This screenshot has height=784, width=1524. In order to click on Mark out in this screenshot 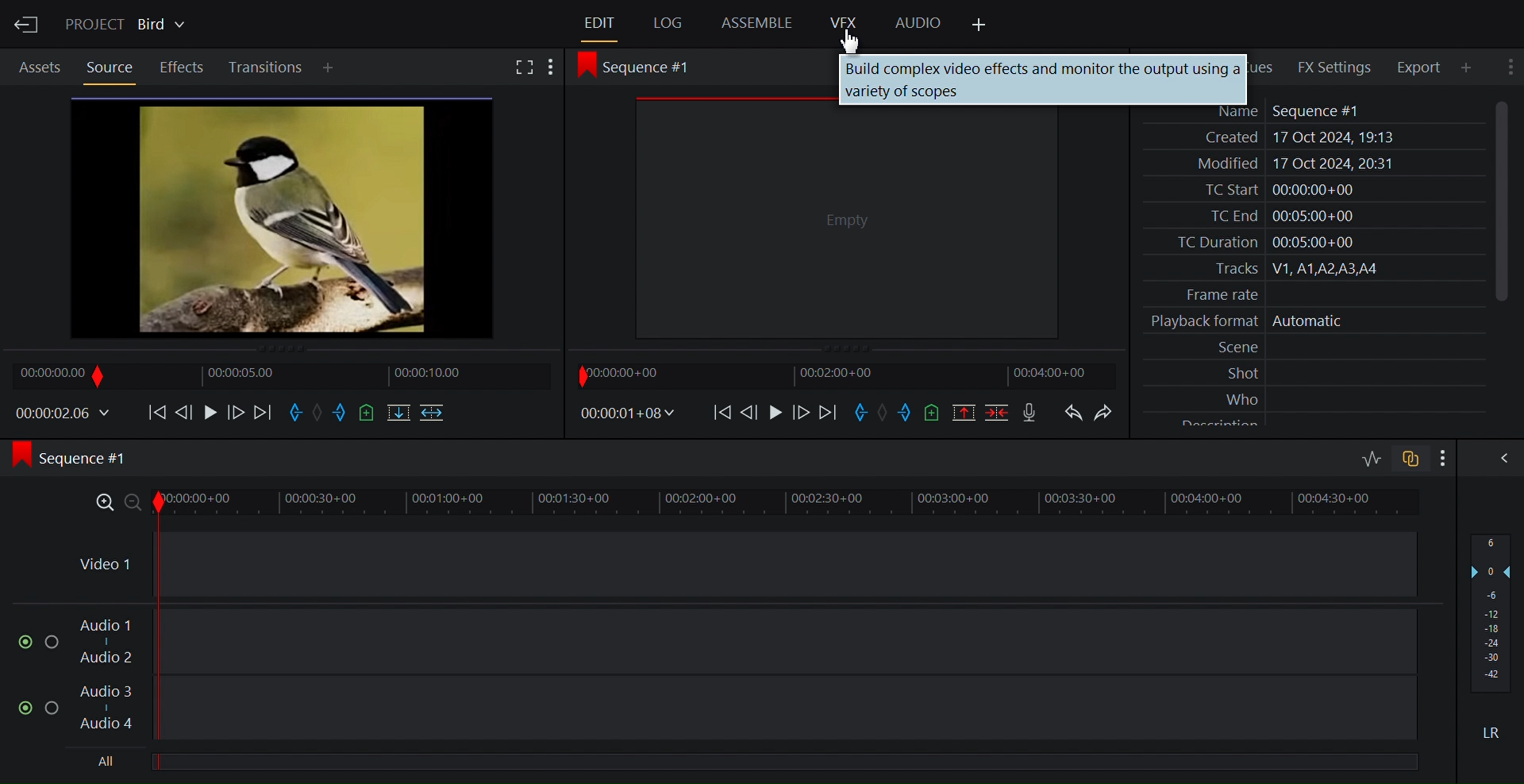, I will do `click(341, 414)`.